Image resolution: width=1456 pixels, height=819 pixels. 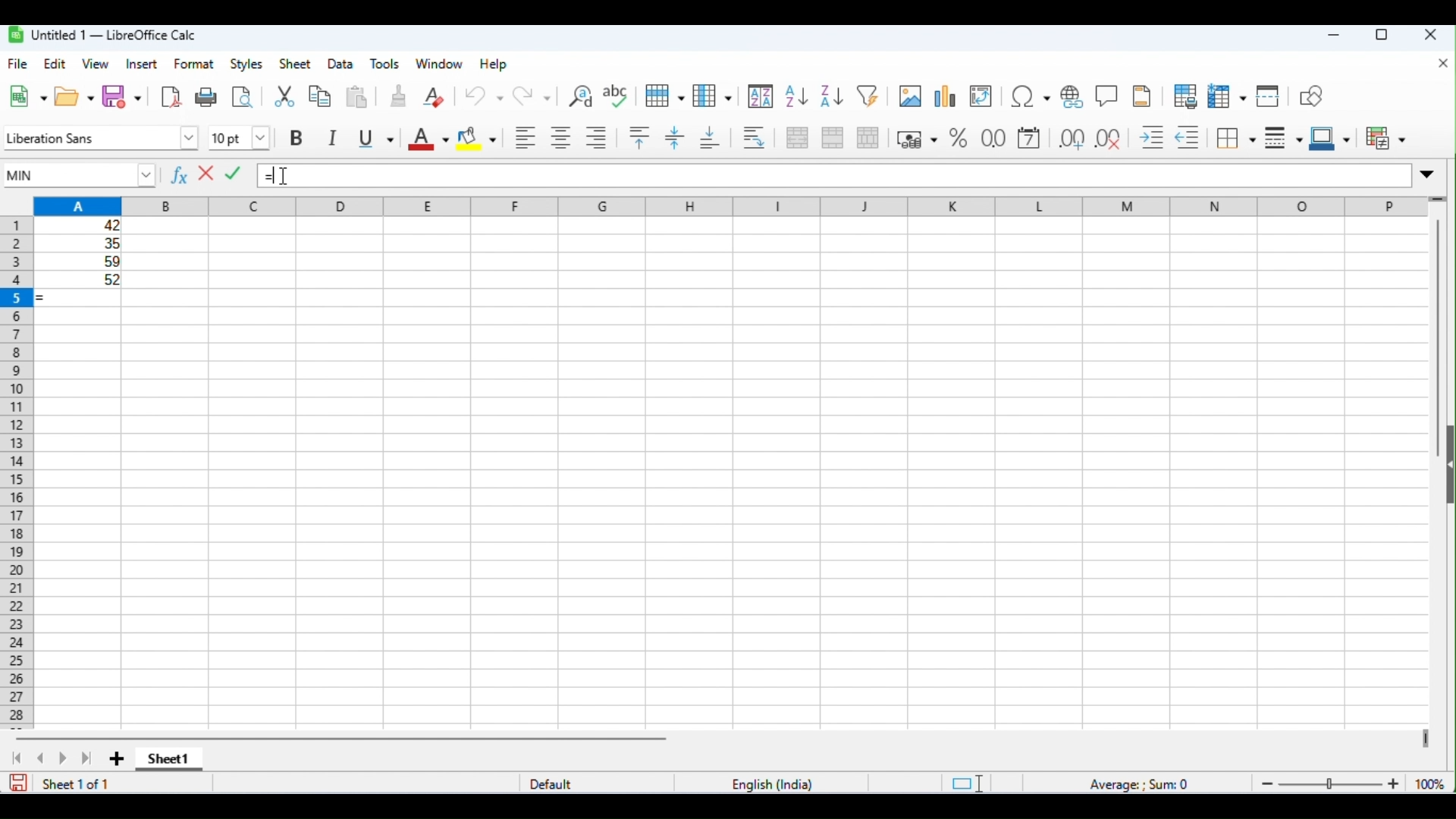 I want to click on column, so click(x=711, y=96).